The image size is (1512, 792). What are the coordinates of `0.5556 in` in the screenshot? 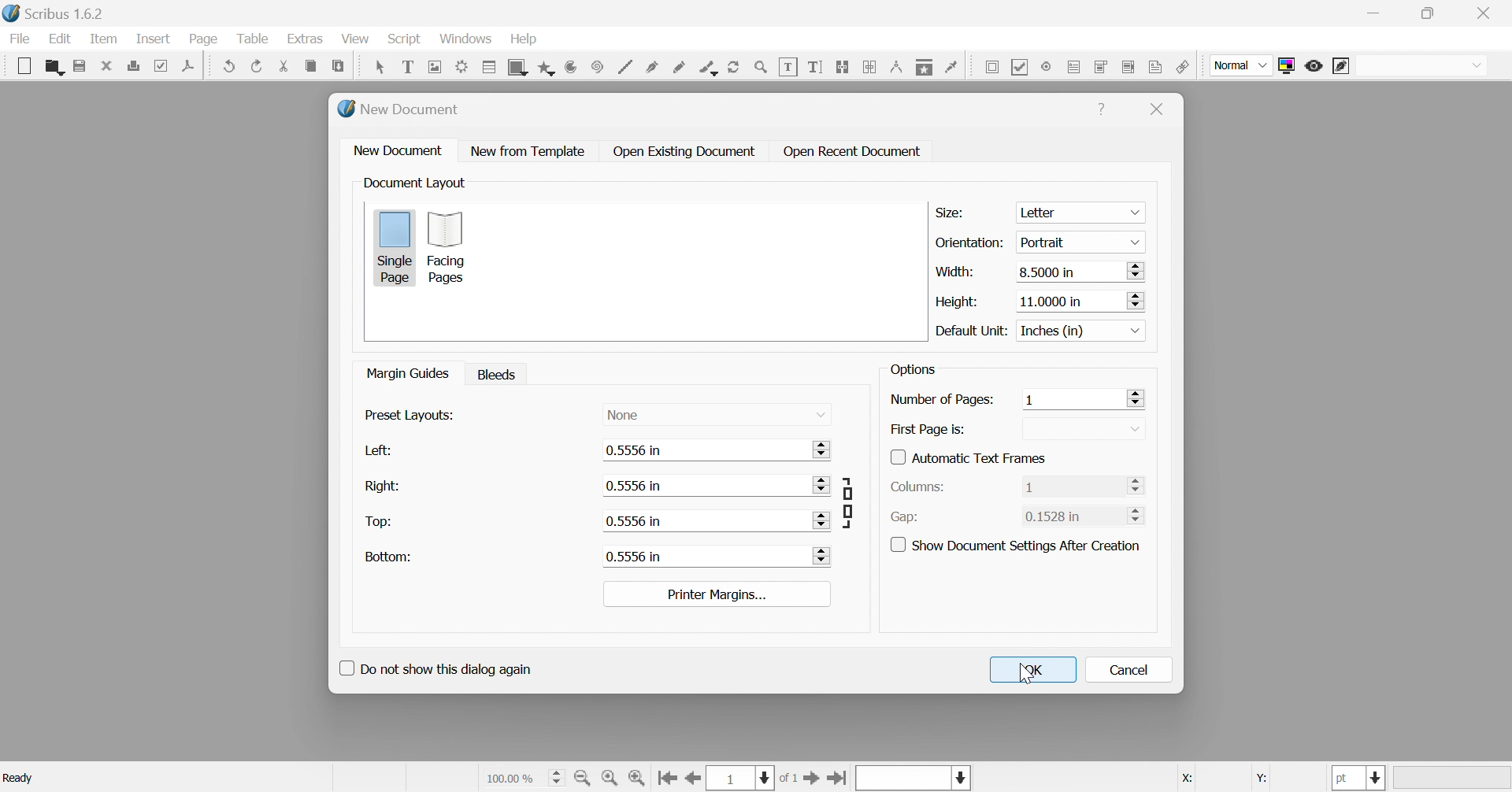 It's located at (633, 450).